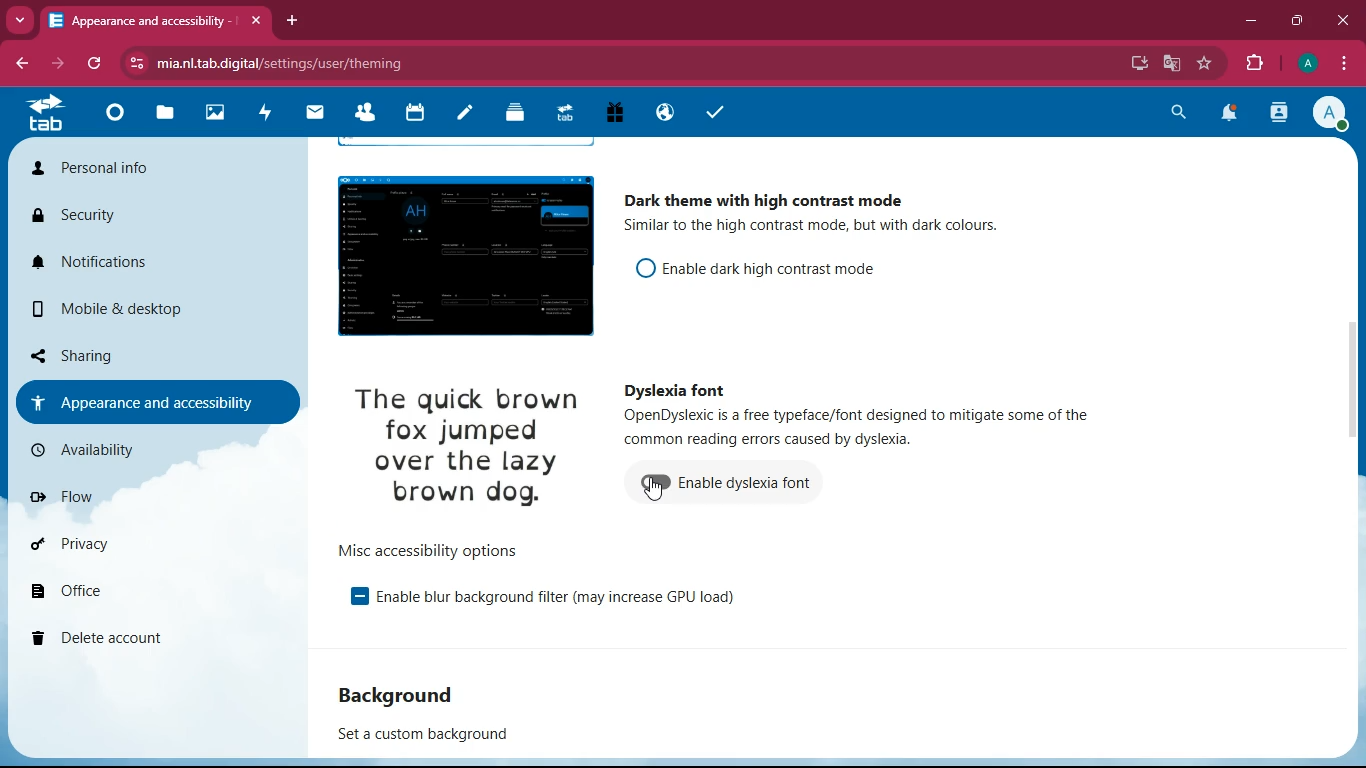 The width and height of the screenshot is (1366, 768). I want to click on desktop, so click(1137, 65).